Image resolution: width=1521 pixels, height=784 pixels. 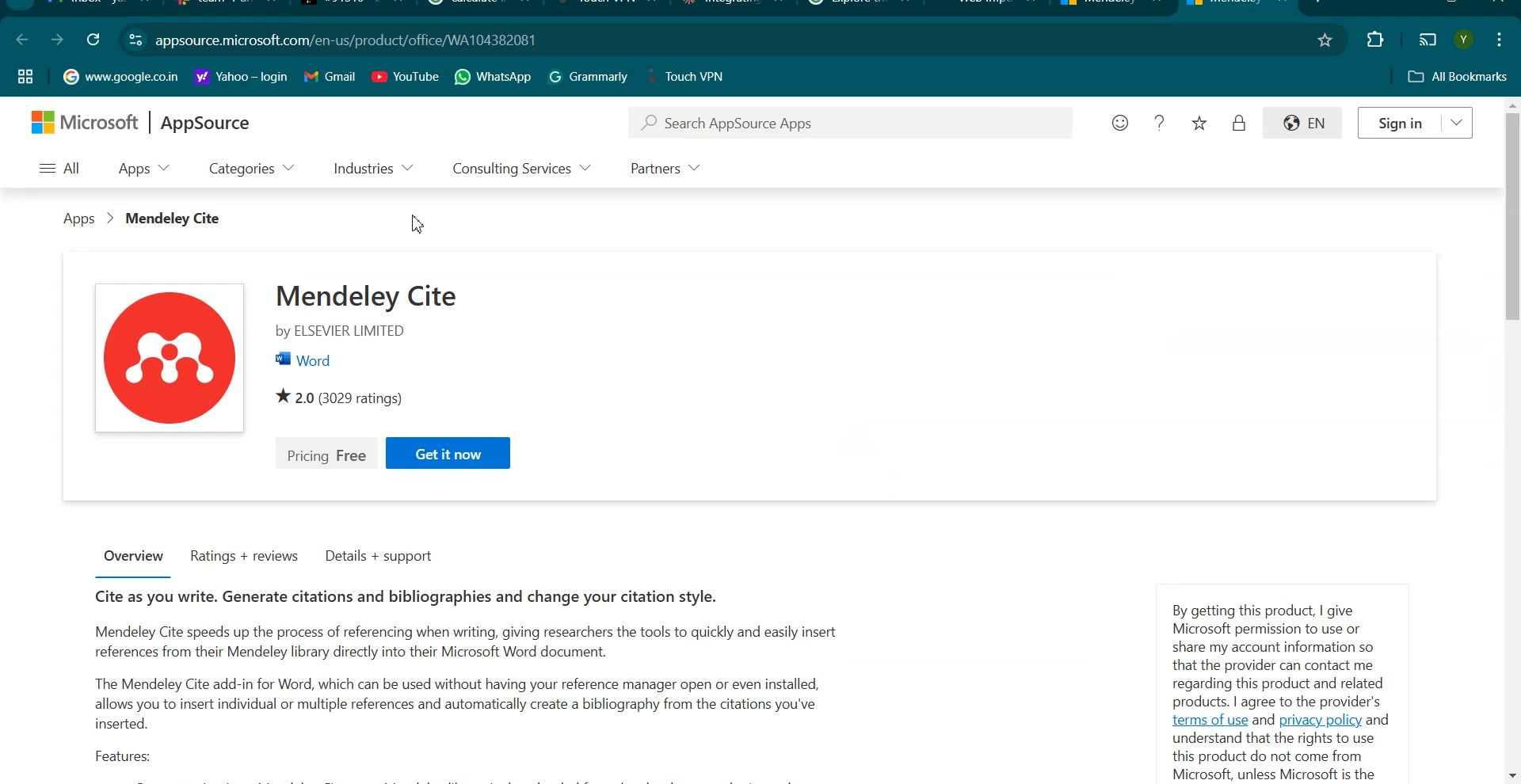 I want to click on Search bar, so click(x=849, y=123).